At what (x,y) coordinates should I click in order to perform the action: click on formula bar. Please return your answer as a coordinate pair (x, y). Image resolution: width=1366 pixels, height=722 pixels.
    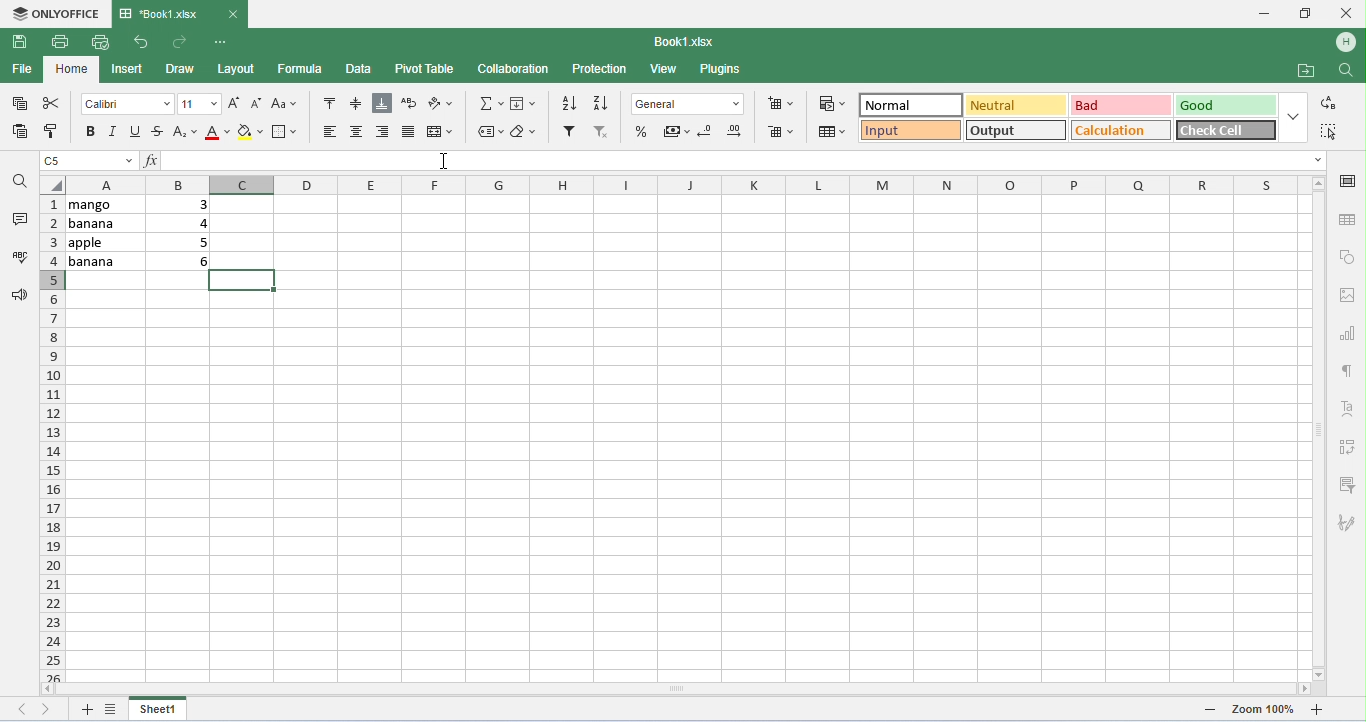
    Looking at the image, I should click on (731, 161).